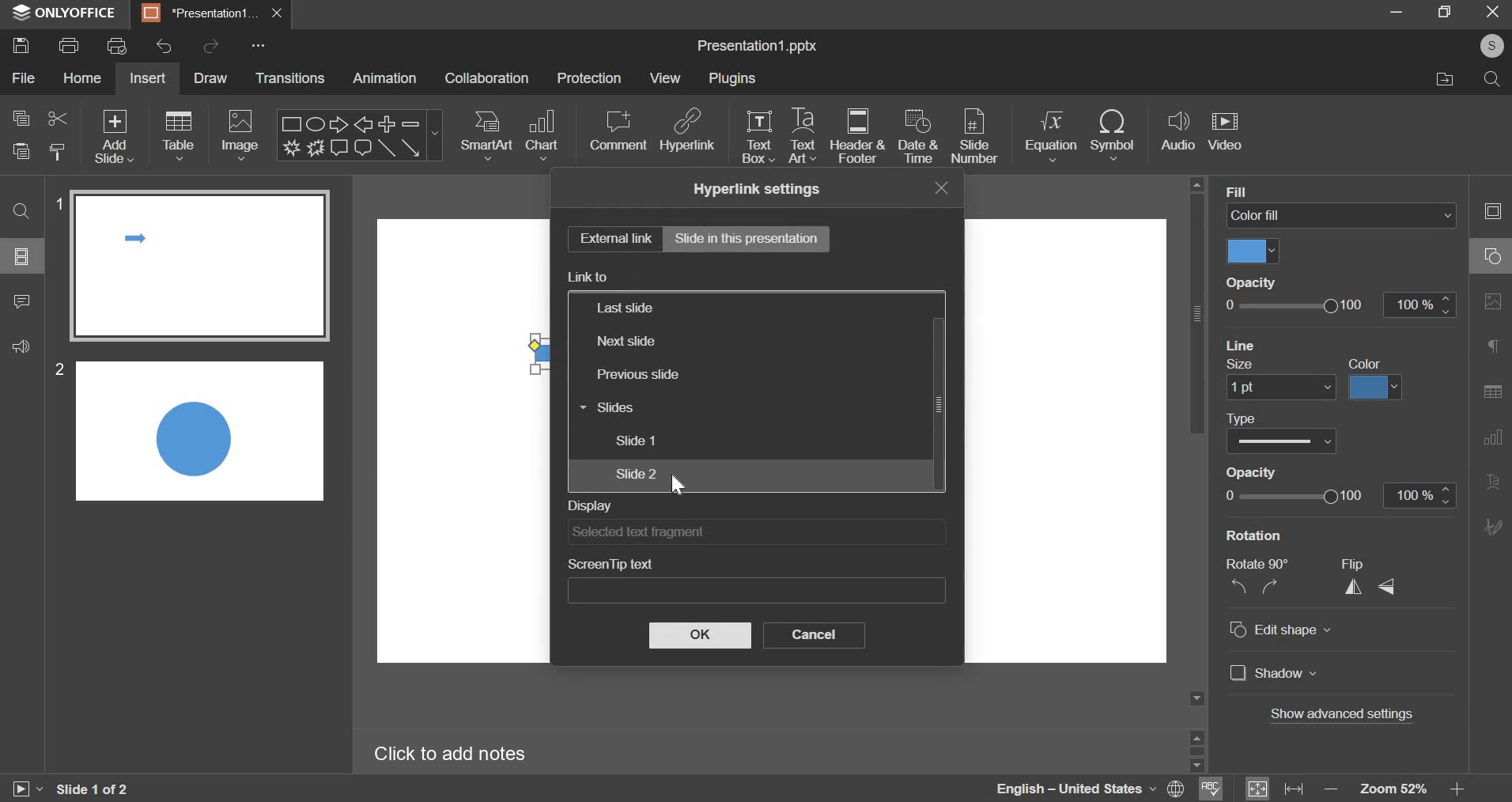 This screenshot has width=1512, height=802. What do you see at coordinates (1358, 564) in the screenshot?
I see `Flip` at bounding box center [1358, 564].